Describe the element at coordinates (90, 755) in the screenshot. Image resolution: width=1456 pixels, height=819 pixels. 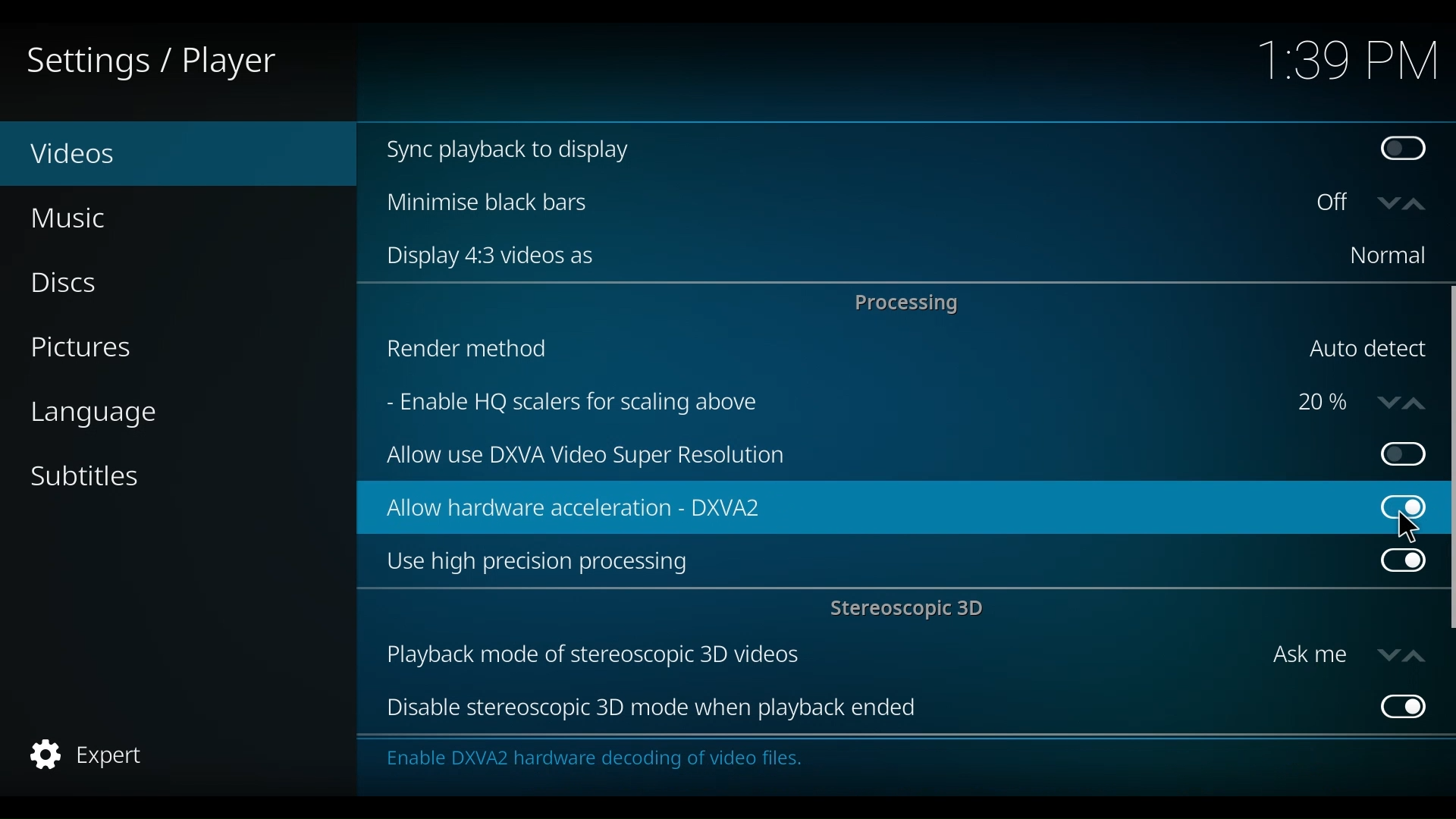
I see `Expert` at that location.